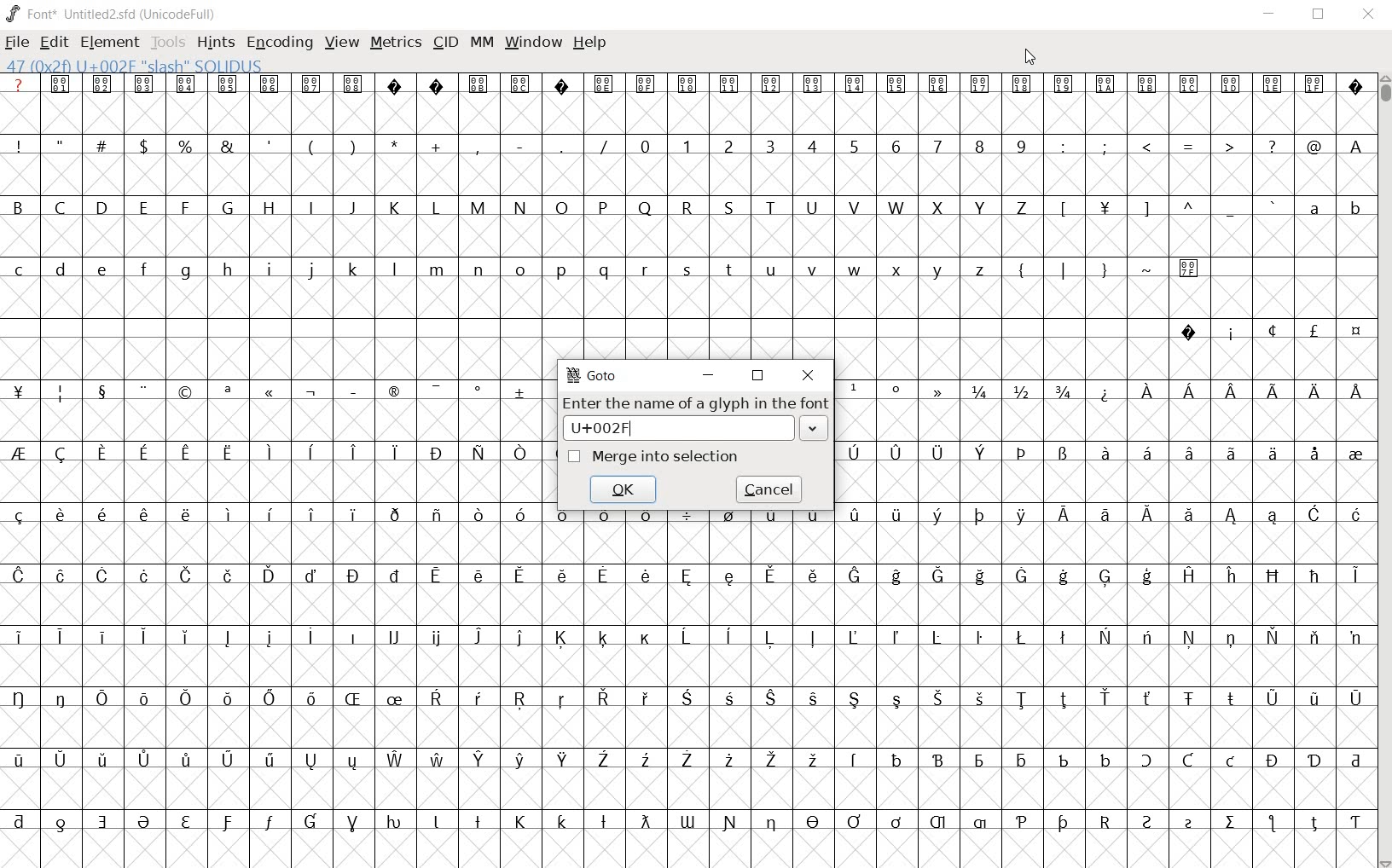 This screenshot has height=868, width=1392. What do you see at coordinates (710, 376) in the screenshot?
I see `minimize` at bounding box center [710, 376].